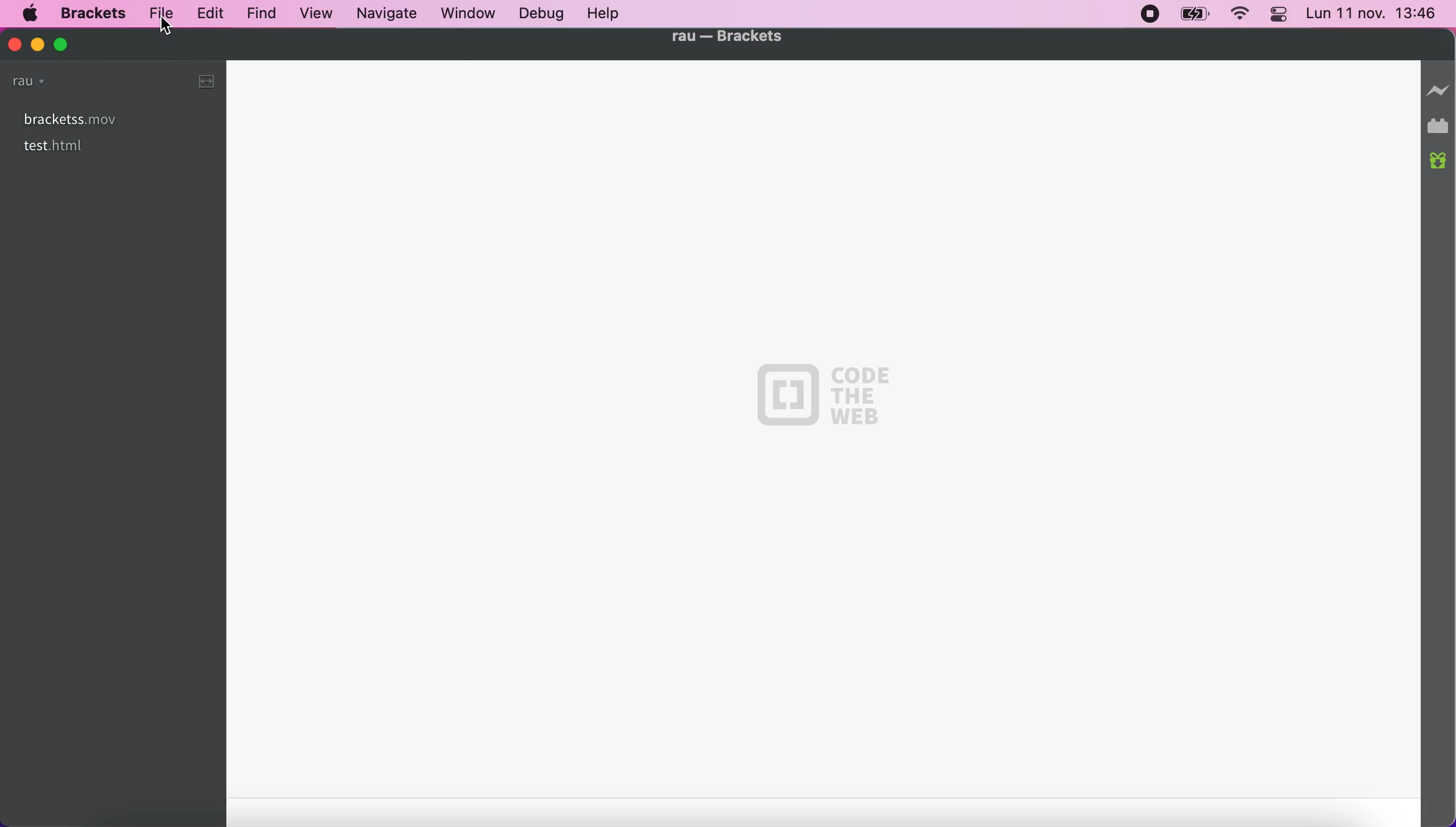  Describe the element at coordinates (1148, 15) in the screenshot. I see `recording stopped` at that location.